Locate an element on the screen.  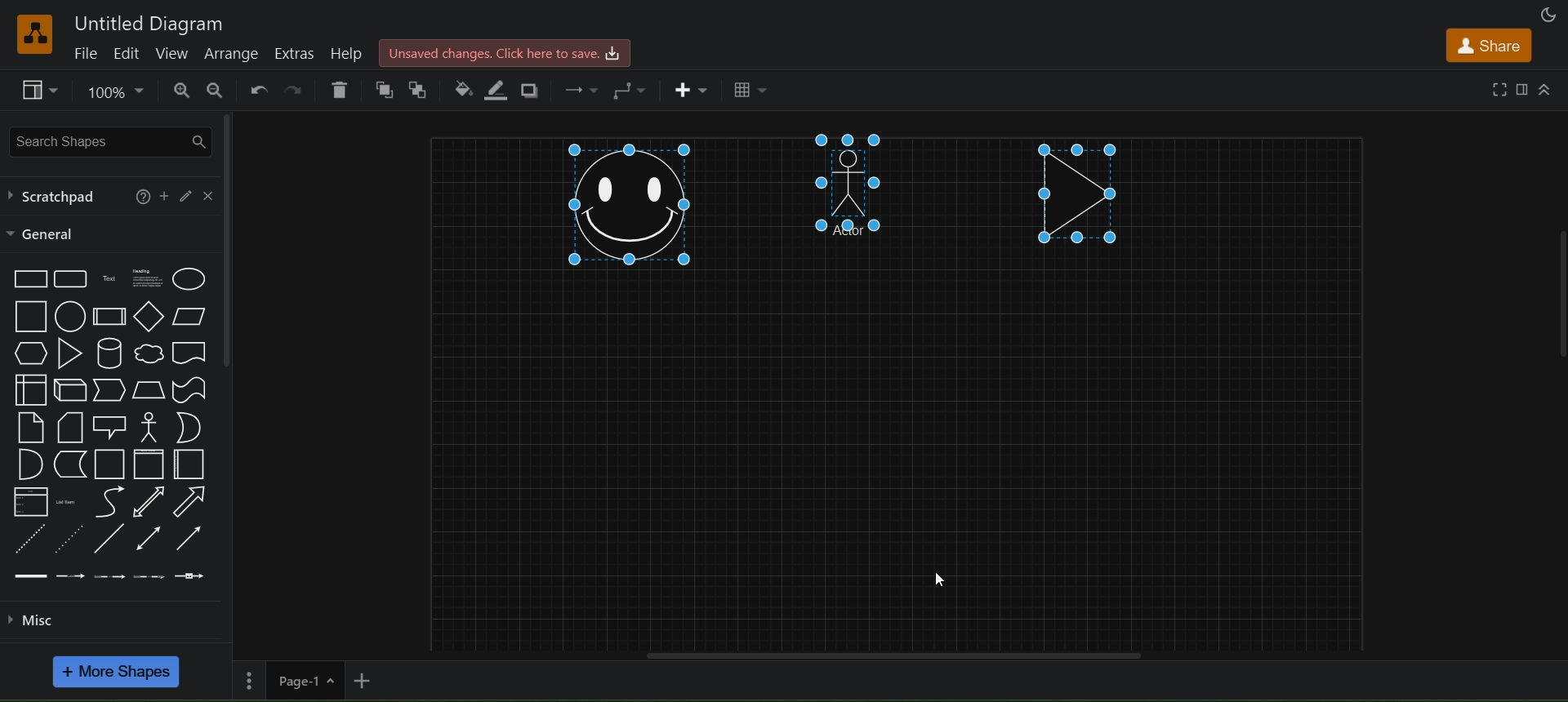
cloud is located at coordinates (149, 353).